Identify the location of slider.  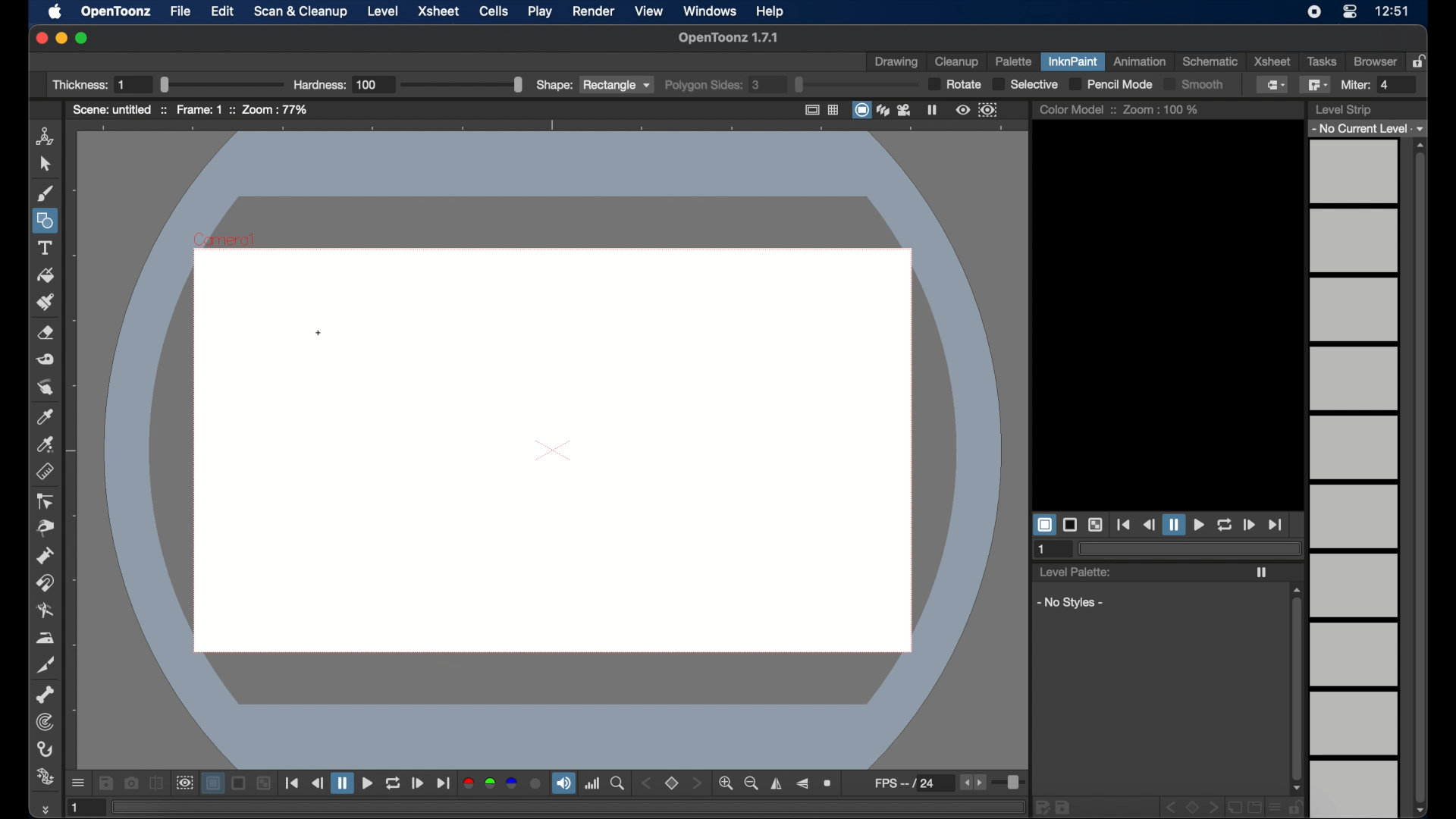
(1011, 784).